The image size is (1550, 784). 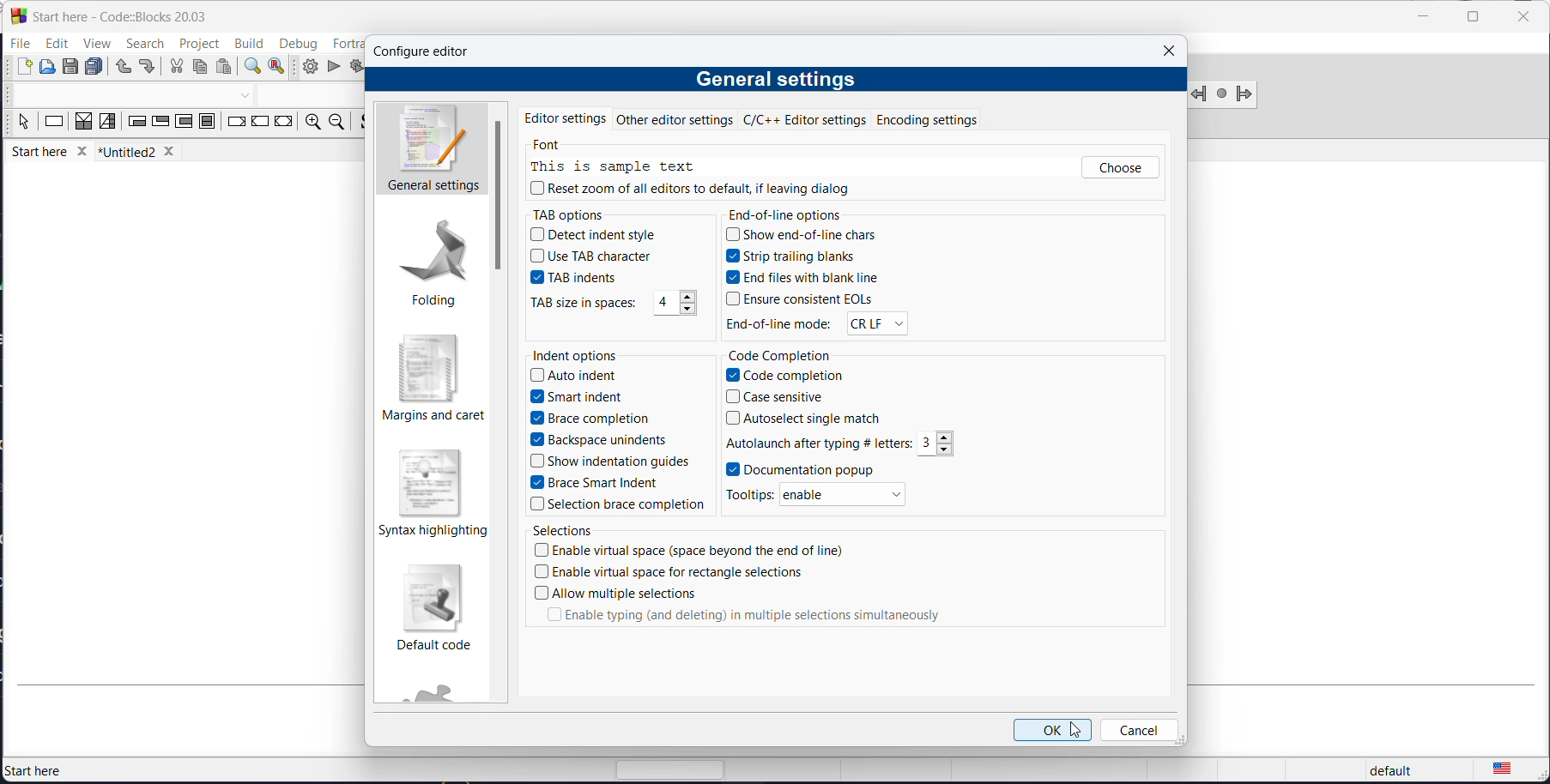 I want to click on counting loop, so click(x=183, y=124).